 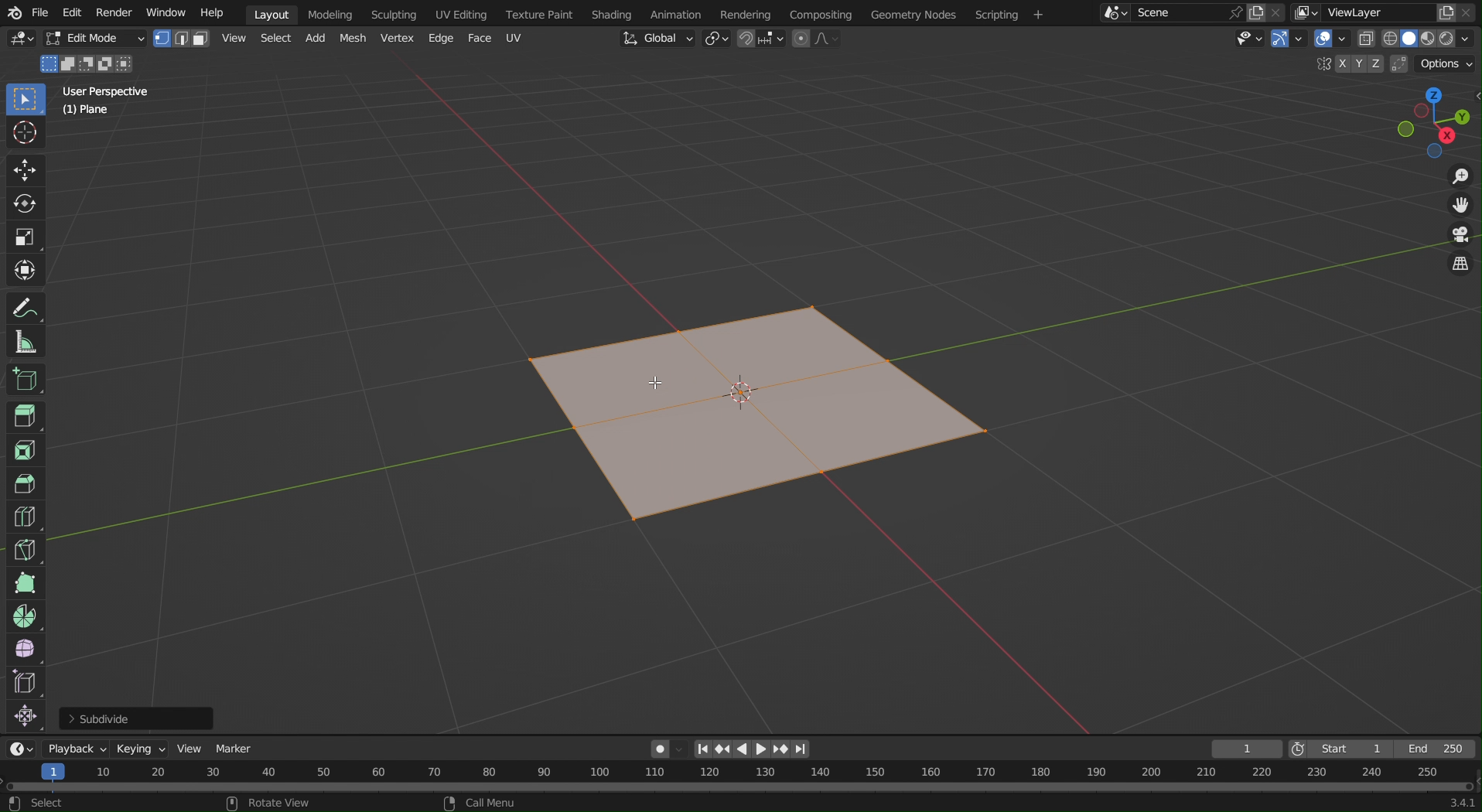 I want to click on Texture Paint, so click(x=541, y=12).